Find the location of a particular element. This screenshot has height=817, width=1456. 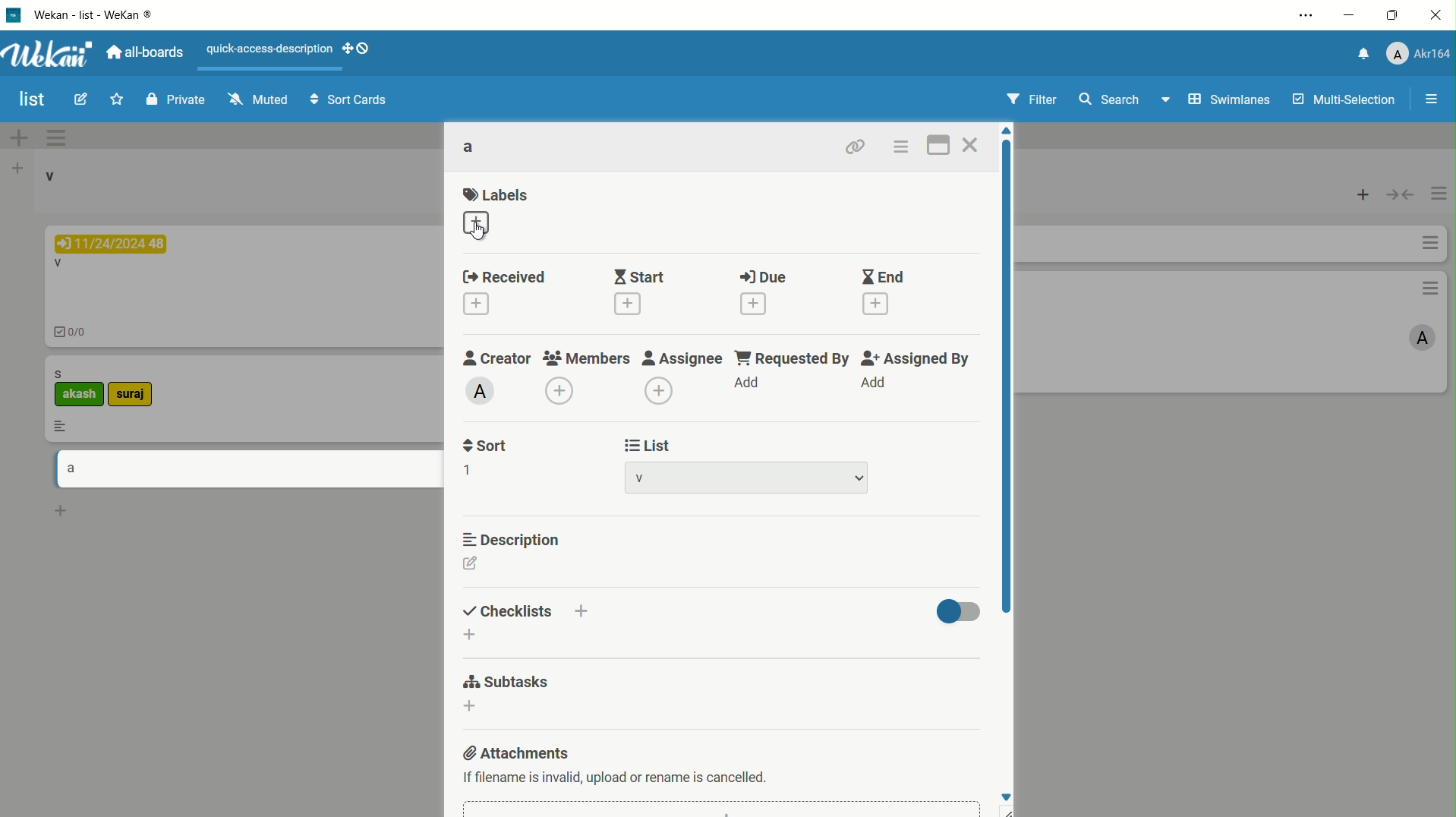

requested by is located at coordinates (791, 358).